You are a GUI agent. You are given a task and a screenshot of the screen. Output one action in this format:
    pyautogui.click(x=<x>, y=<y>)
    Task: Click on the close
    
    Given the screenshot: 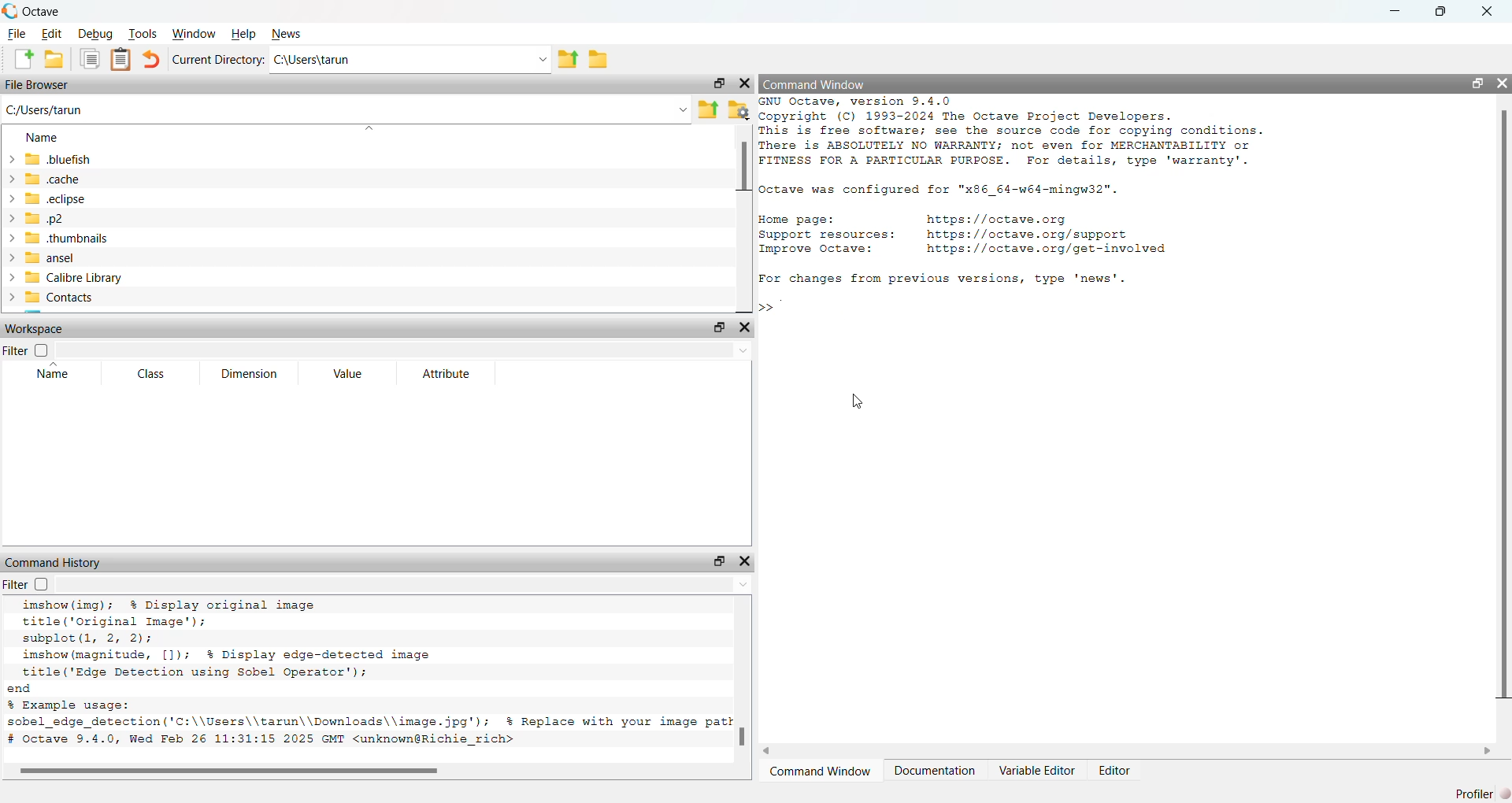 What is the action you would take?
    pyautogui.click(x=745, y=560)
    